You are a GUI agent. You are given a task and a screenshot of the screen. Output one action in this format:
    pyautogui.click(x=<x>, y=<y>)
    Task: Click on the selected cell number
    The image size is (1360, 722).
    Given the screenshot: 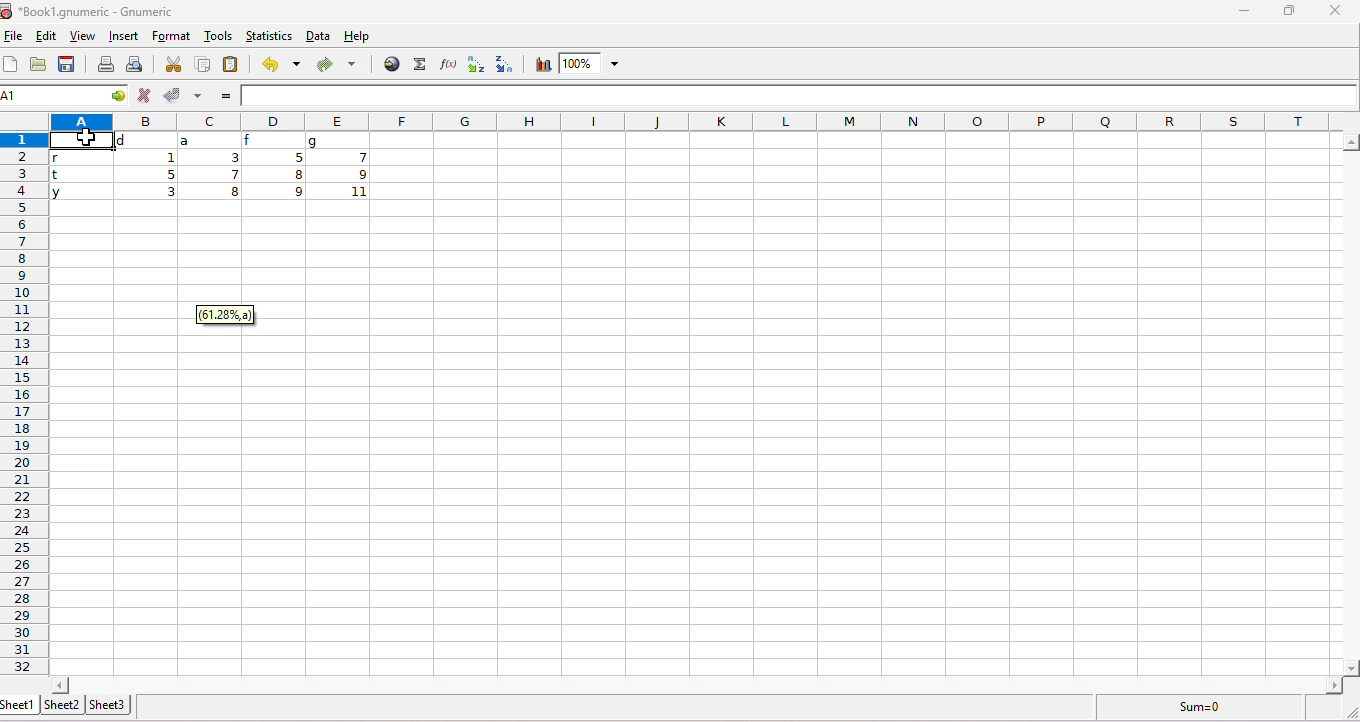 What is the action you would take?
    pyautogui.click(x=14, y=96)
    